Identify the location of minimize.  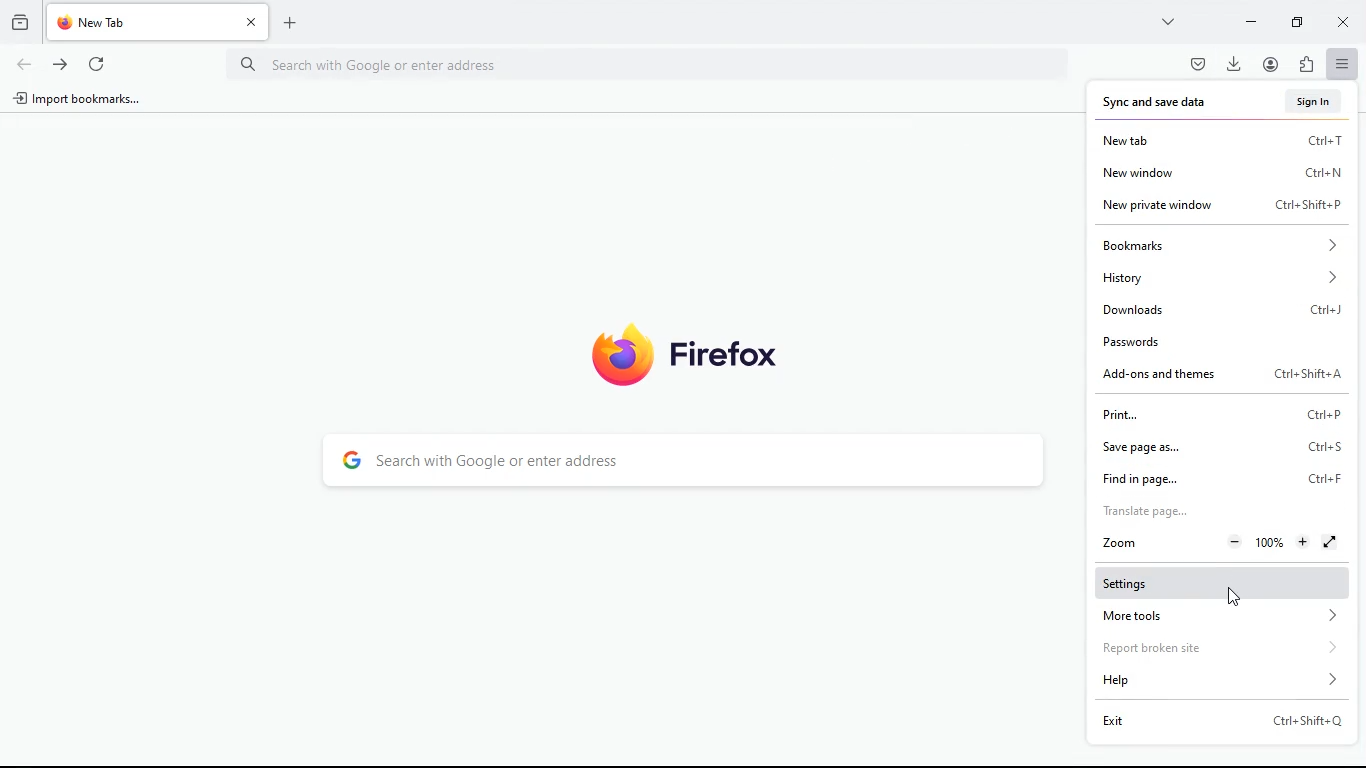
(1302, 21).